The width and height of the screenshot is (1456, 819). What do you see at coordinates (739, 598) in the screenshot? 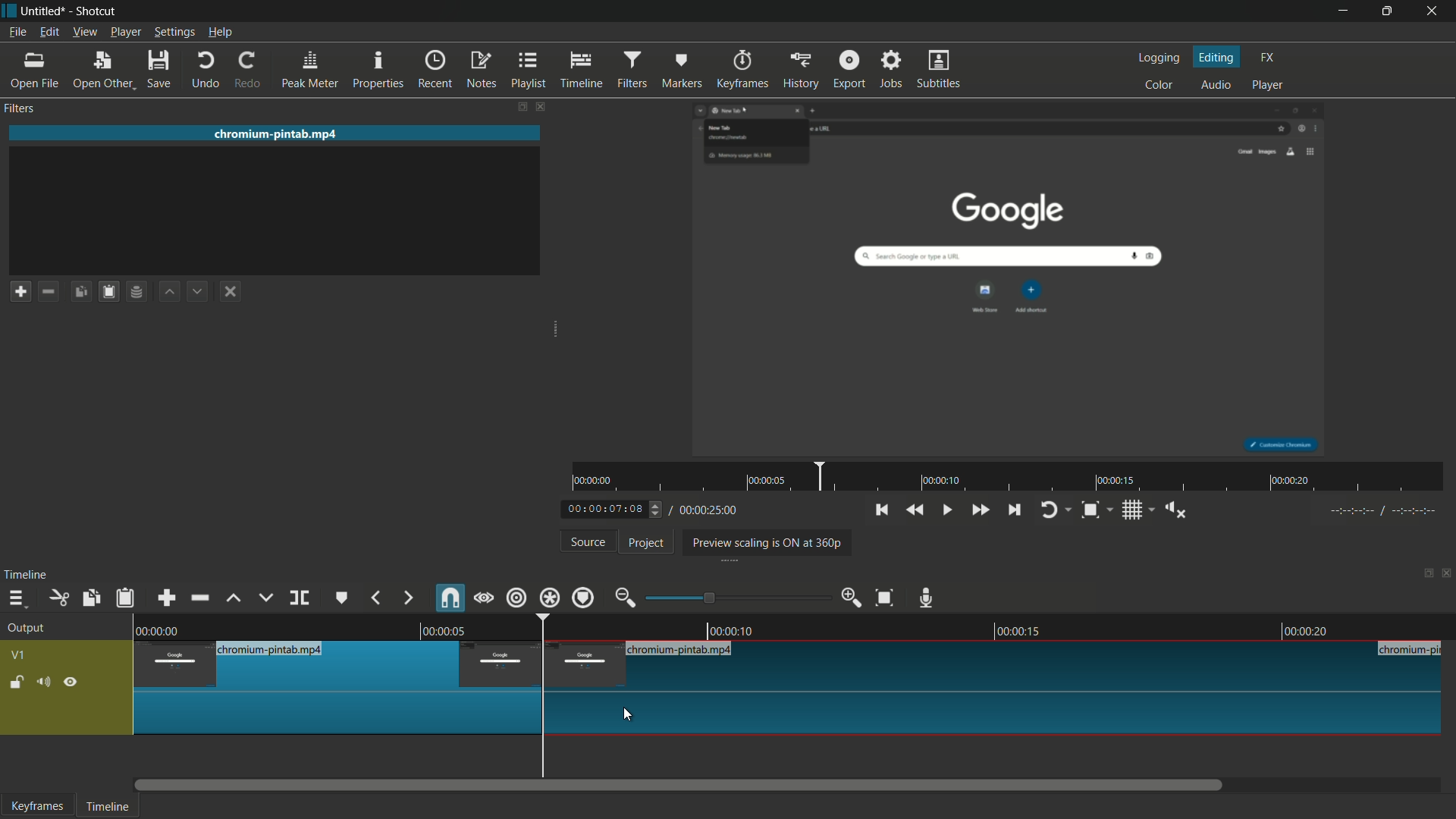
I see `adjustment bar` at bounding box center [739, 598].